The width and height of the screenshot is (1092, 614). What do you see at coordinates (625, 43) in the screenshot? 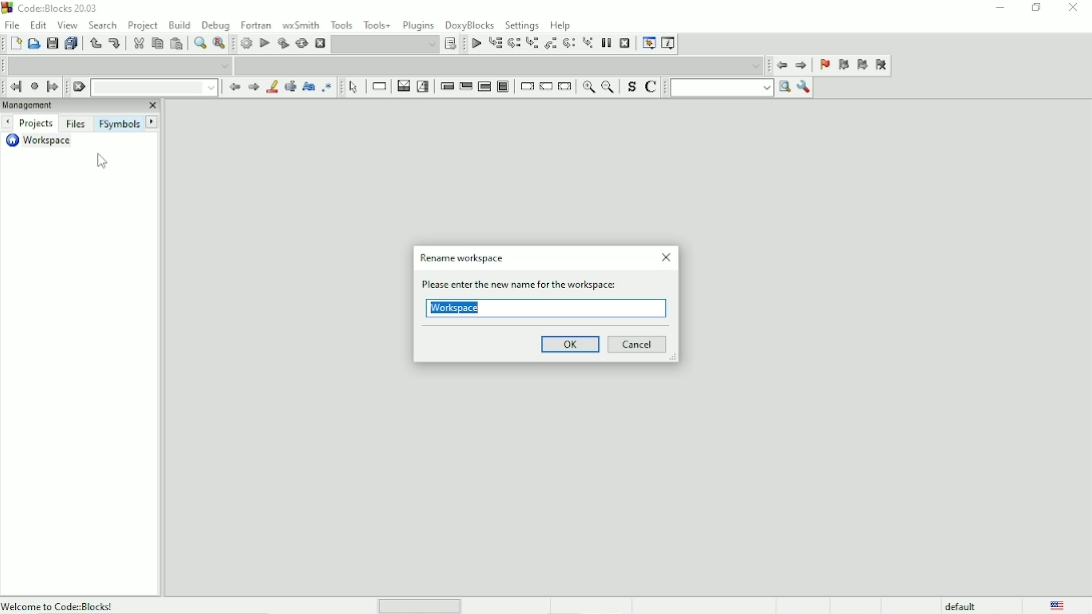
I see `Stop debugger` at bounding box center [625, 43].